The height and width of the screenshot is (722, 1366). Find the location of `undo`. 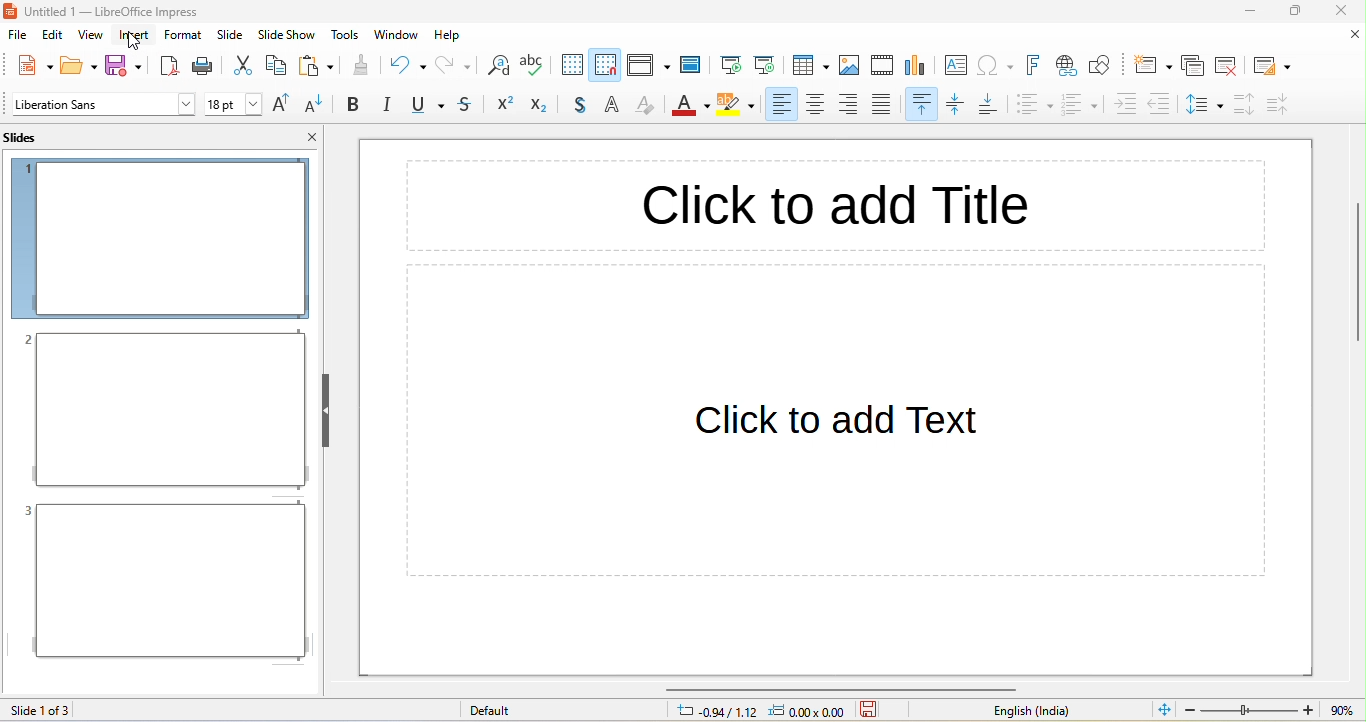

undo is located at coordinates (407, 64).